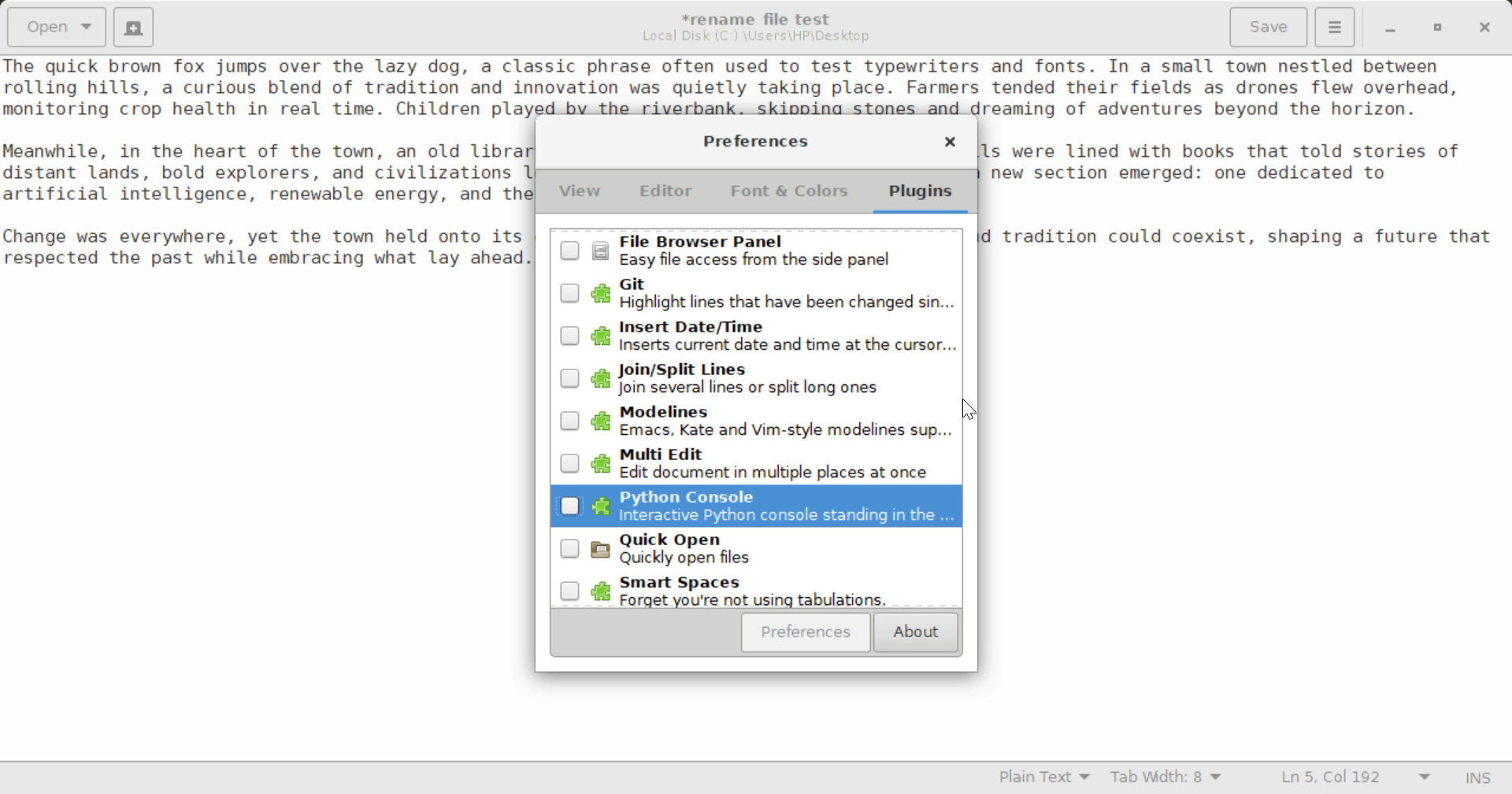 The height and width of the screenshot is (794, 1512). Describe the element at coordinates (132, 25) in the screenshot. I see `Create New Document` at that location.